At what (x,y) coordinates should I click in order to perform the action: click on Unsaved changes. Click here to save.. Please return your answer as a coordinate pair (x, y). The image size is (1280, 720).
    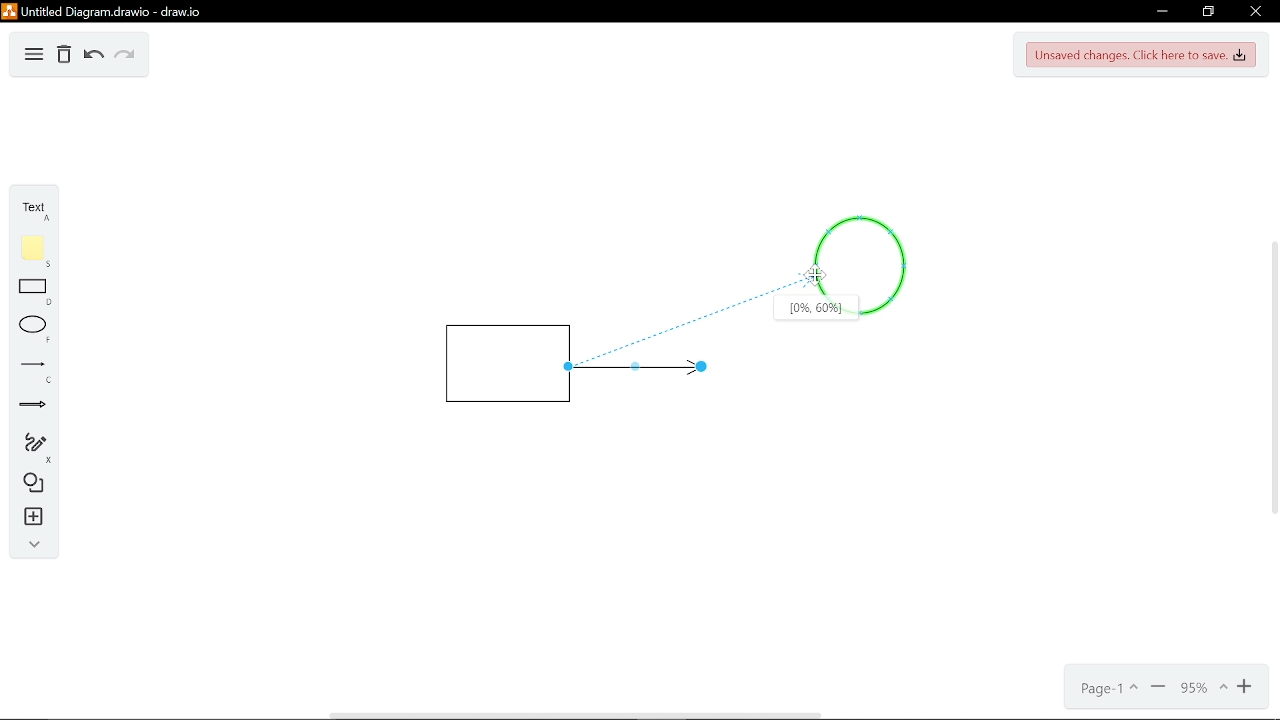
    Looking at the image, I should click on (1140, 56).